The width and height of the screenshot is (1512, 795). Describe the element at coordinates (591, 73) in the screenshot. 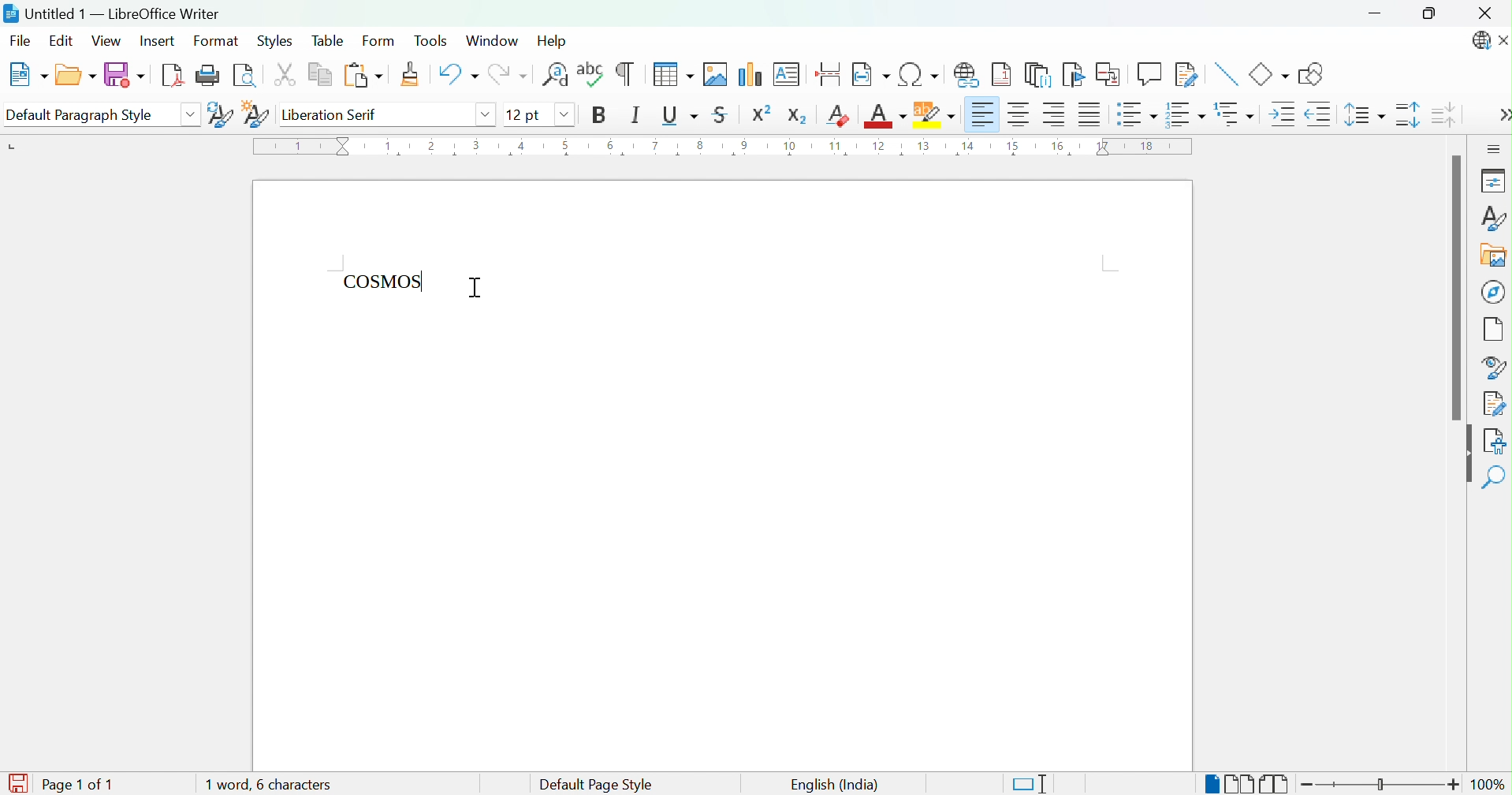

I see `Check Spelling` at that location.